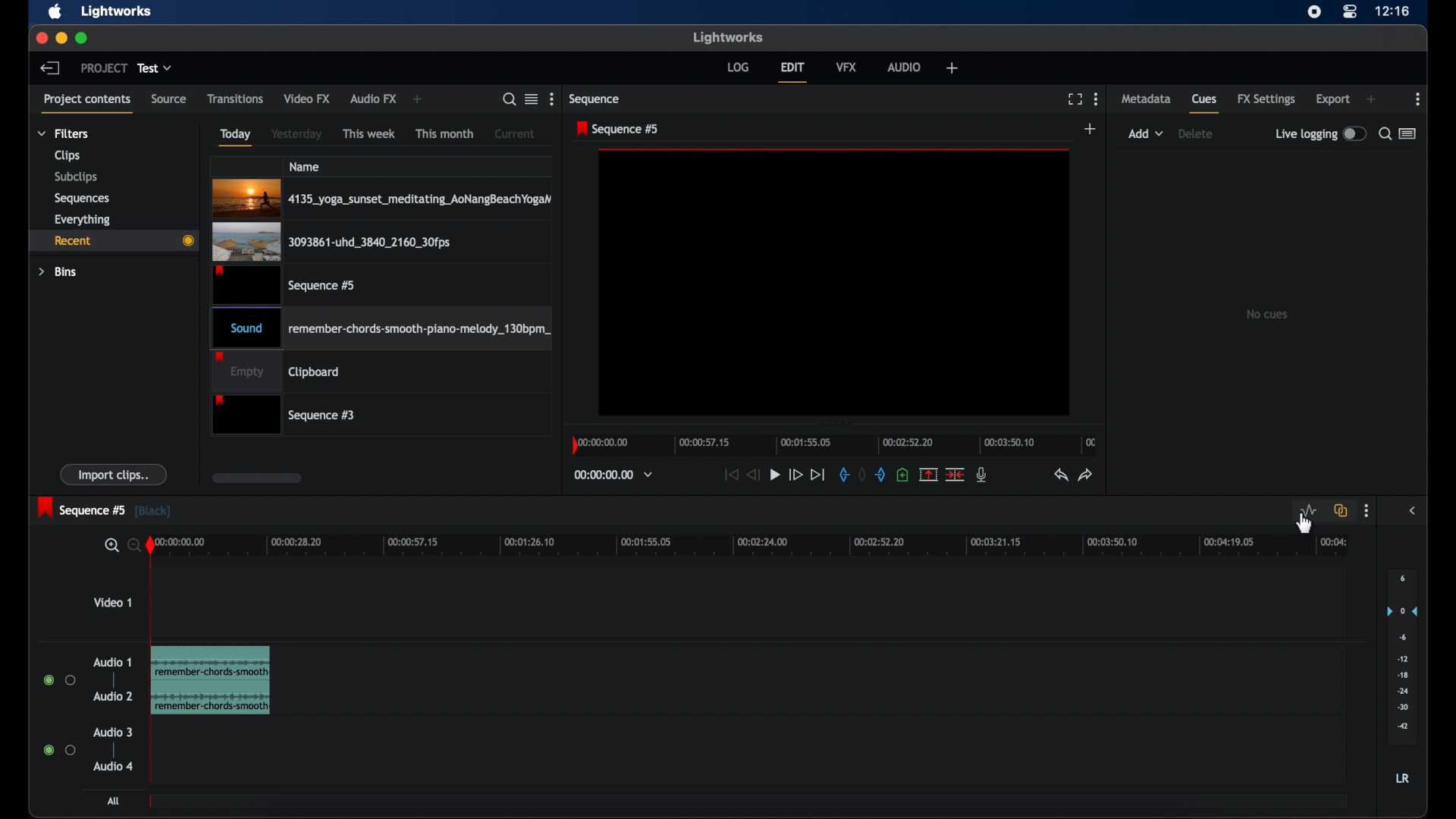 Image resolution: width=1456 pixels, height=819 pixels. Describe the element at coordinates (552, 99) in the screenshot. I see `more options` at that location.